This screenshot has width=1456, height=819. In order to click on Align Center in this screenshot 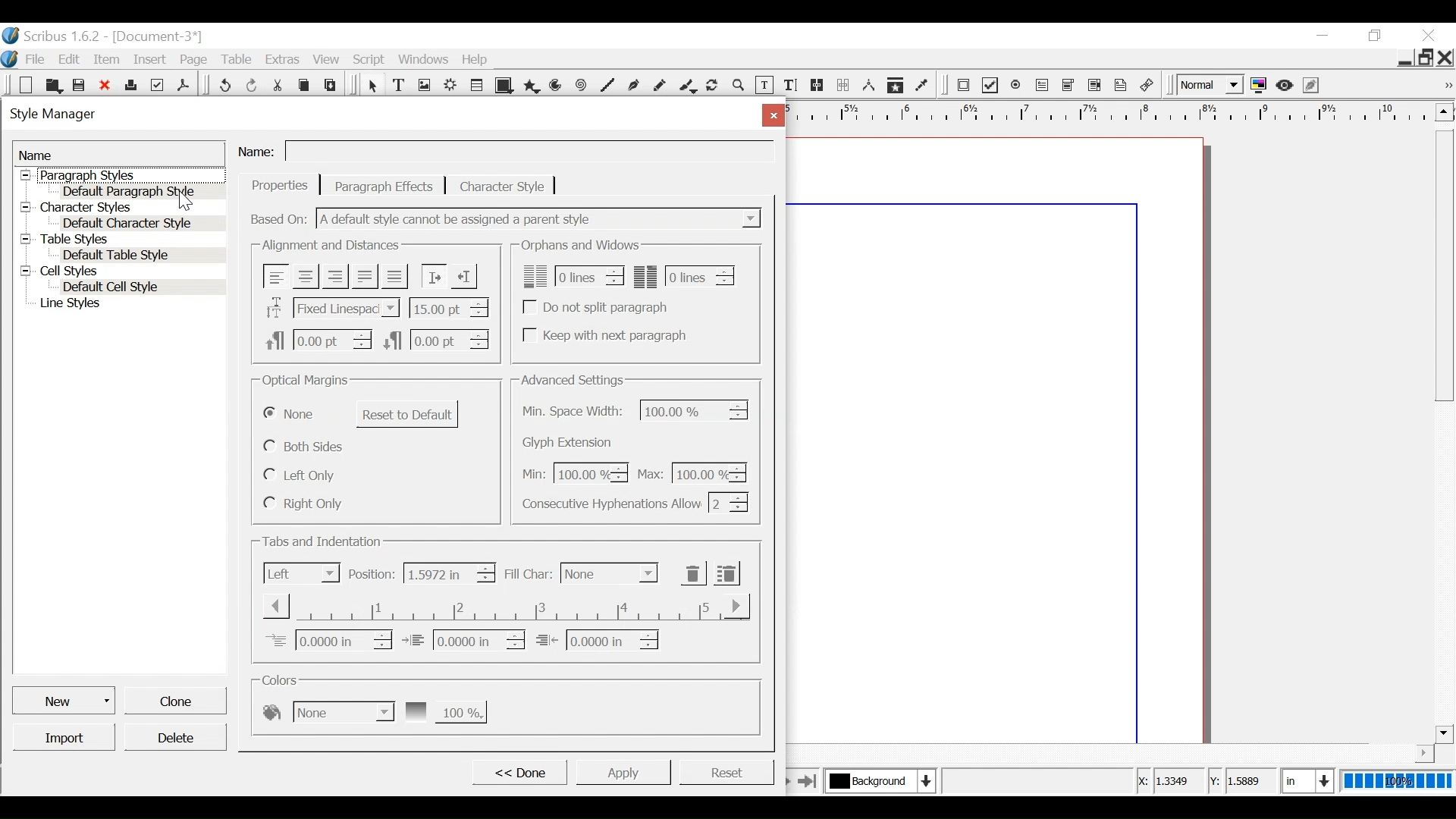, I will do `click(306, 277)`.